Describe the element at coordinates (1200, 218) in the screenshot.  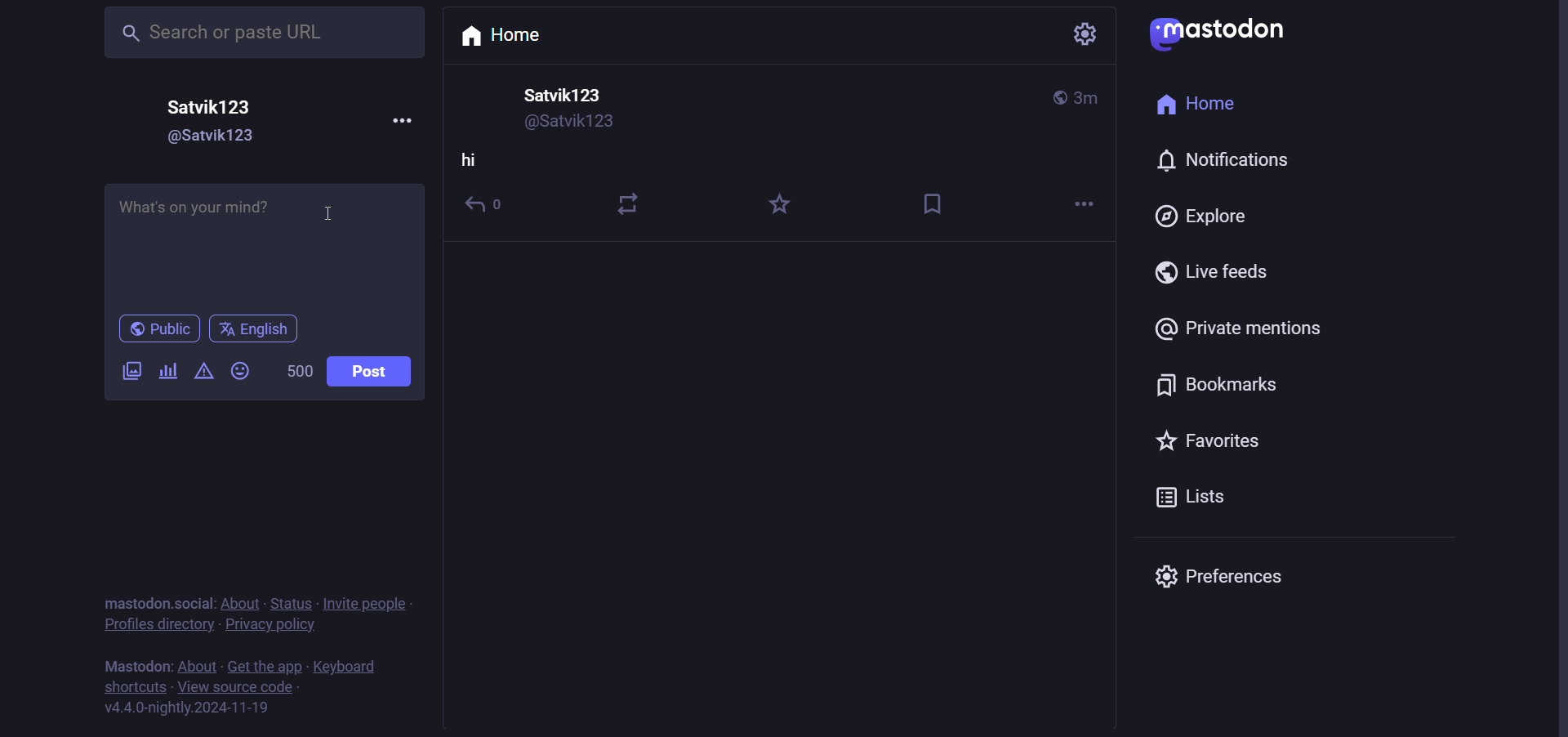
I see `explore` at that location.